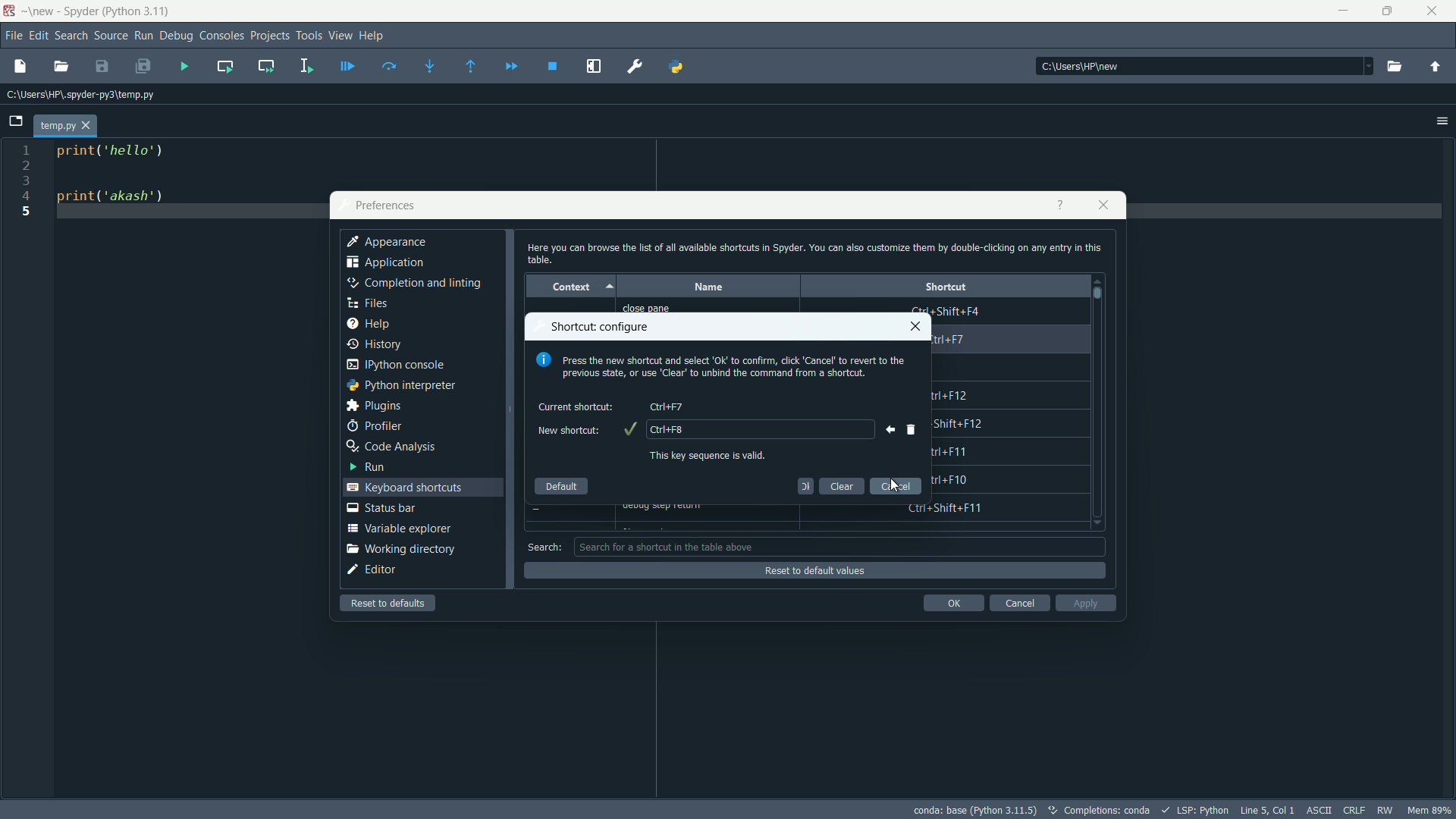 The width and height of the screenshot is (1456, 819). Describe the element at coordinates (1059, 205) in the screenshot. I see `get help` at that location.